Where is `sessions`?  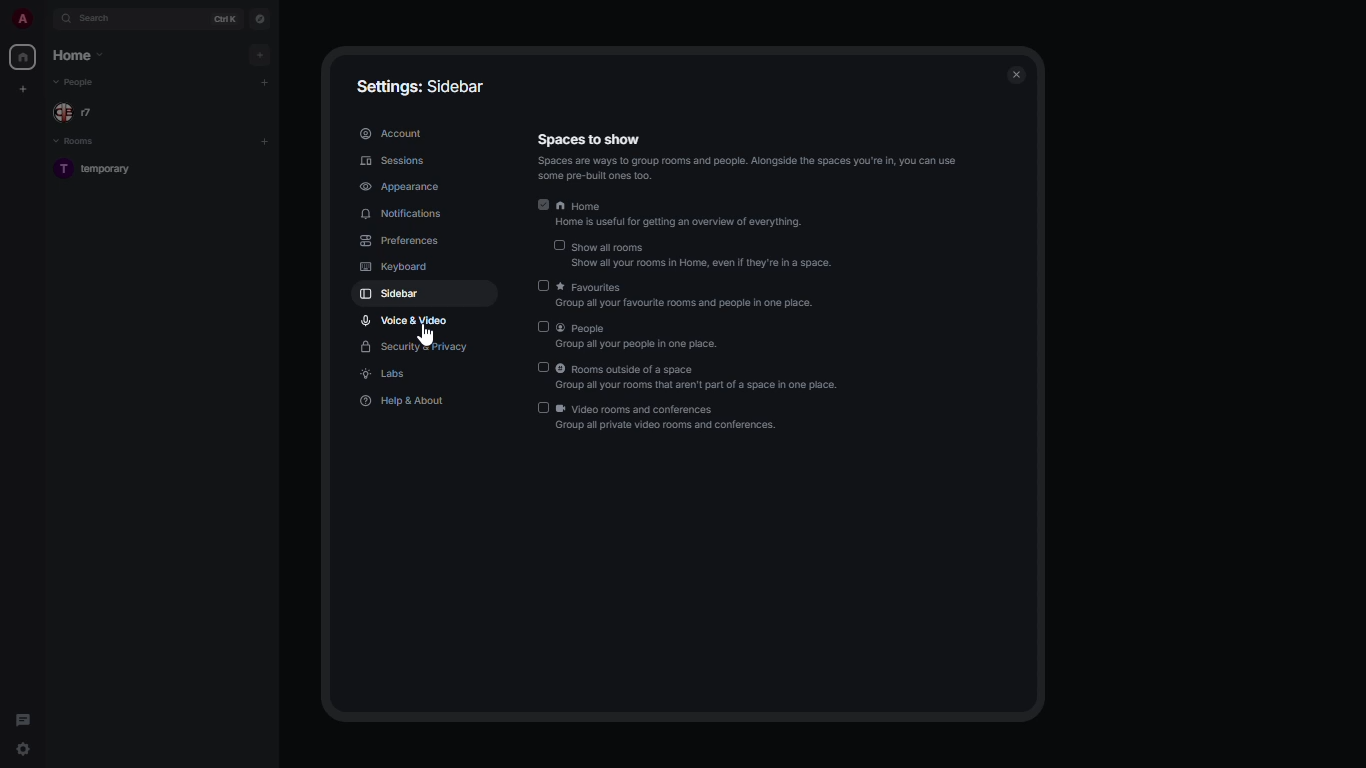 sessions is located at coordinates (398, 162).